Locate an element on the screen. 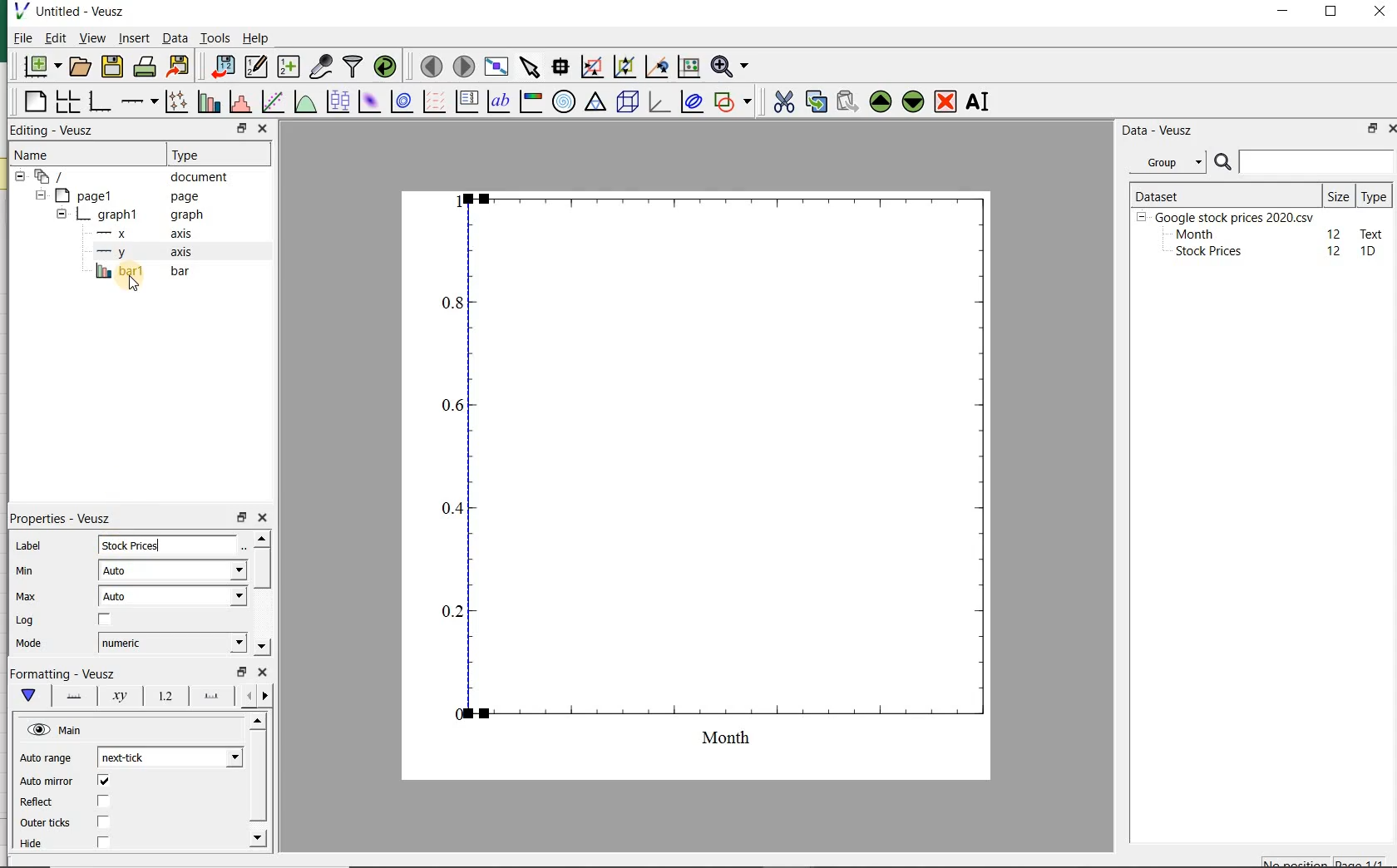  reload linked datasets is located at coordinates (388, 67).